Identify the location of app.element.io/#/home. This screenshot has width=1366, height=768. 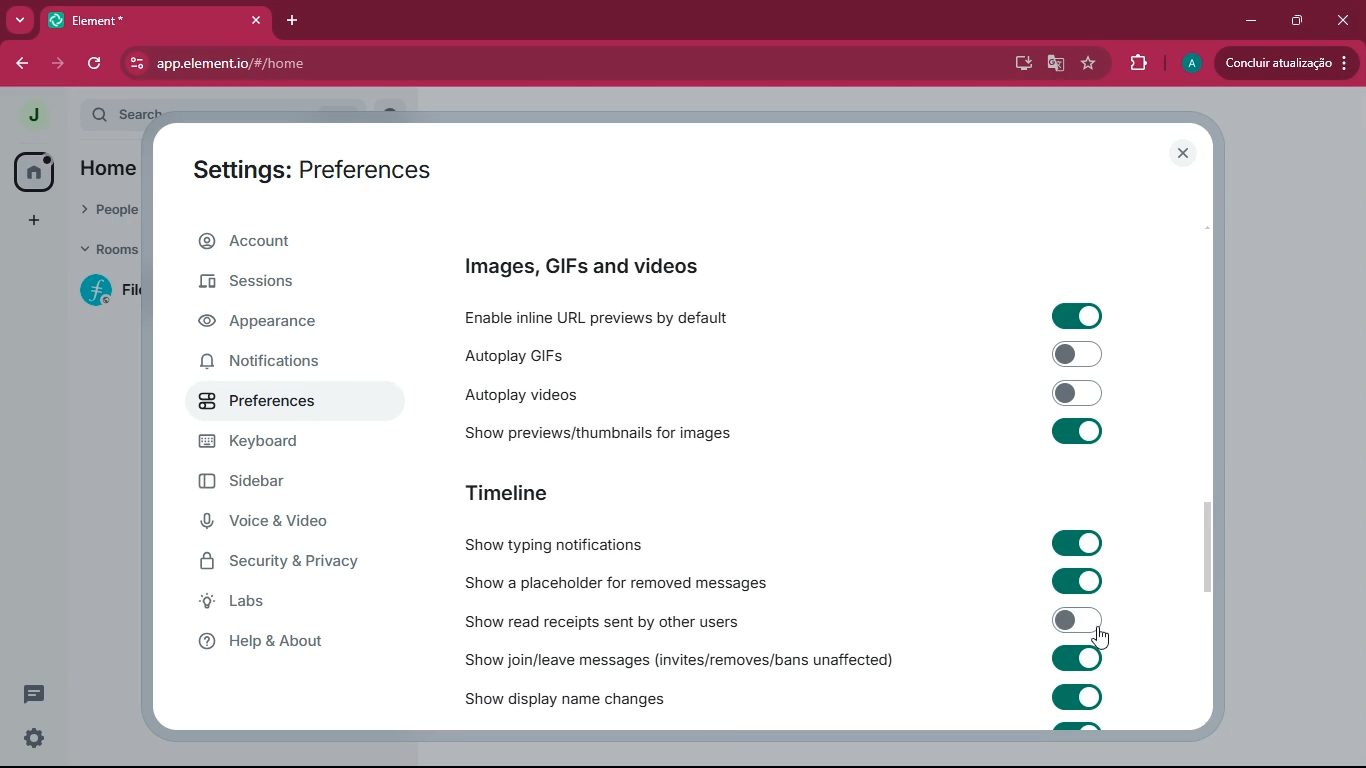
(351, 63).